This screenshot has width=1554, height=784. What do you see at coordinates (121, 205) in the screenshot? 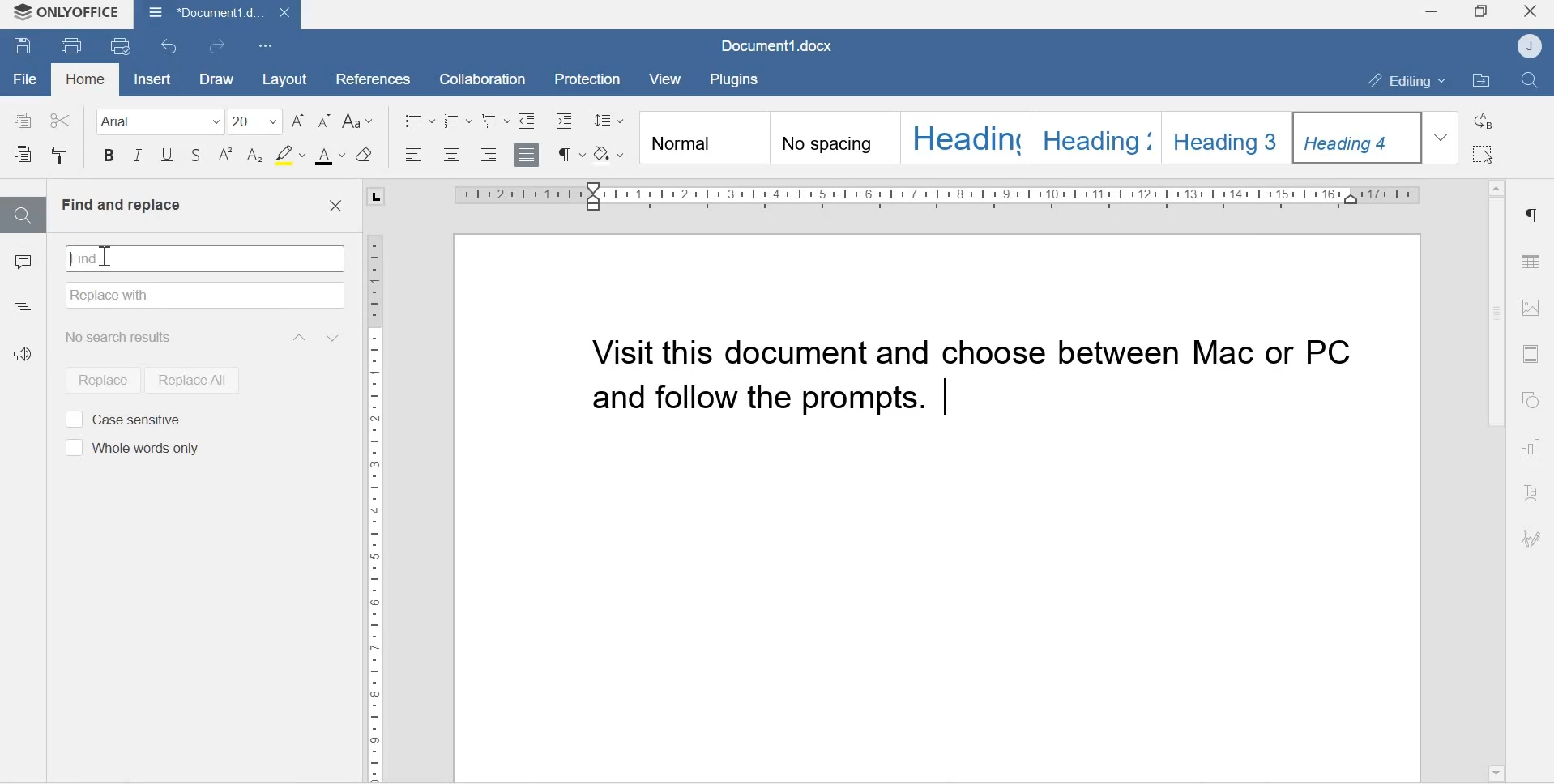
I see `Find and replace` at bounding box center [121, 205].